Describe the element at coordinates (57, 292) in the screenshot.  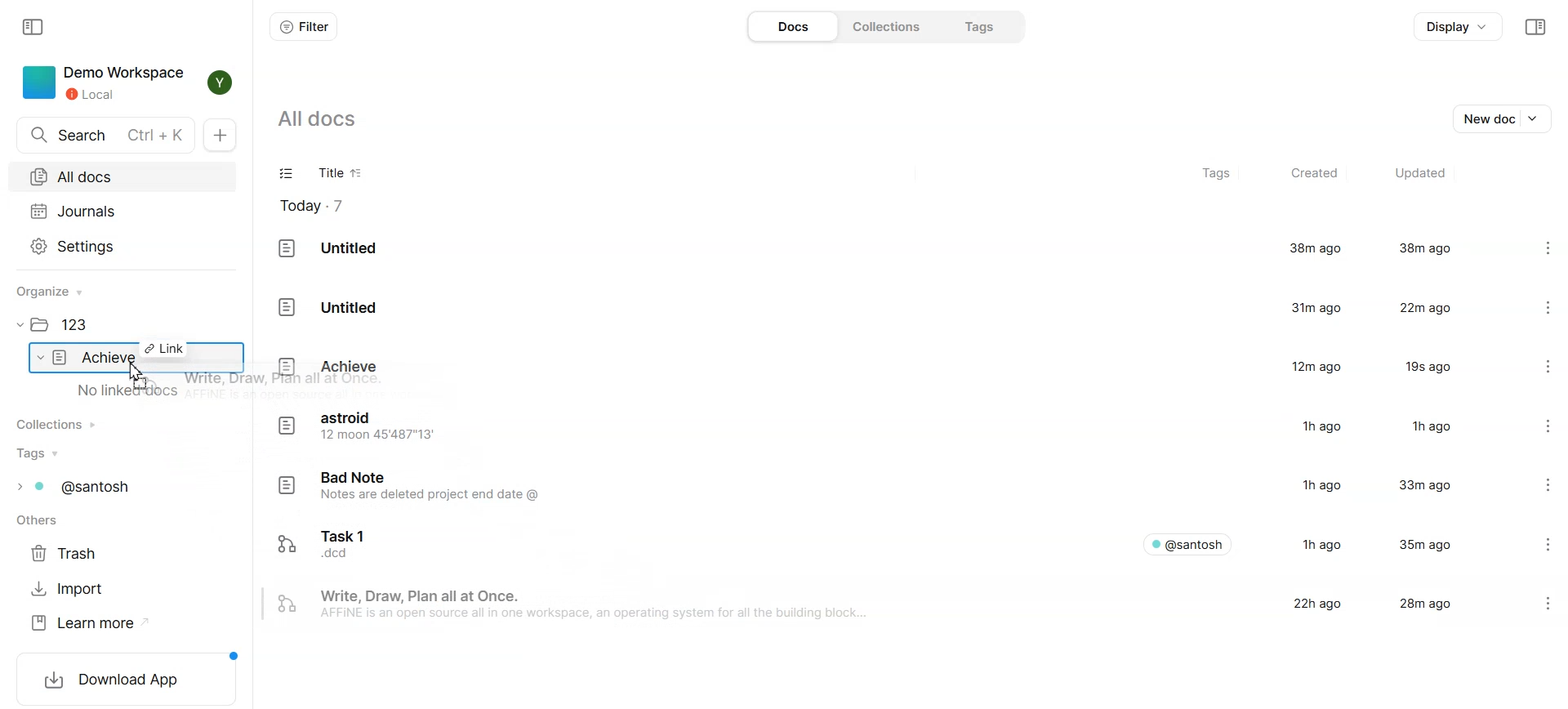
I see `Organize` at that location.